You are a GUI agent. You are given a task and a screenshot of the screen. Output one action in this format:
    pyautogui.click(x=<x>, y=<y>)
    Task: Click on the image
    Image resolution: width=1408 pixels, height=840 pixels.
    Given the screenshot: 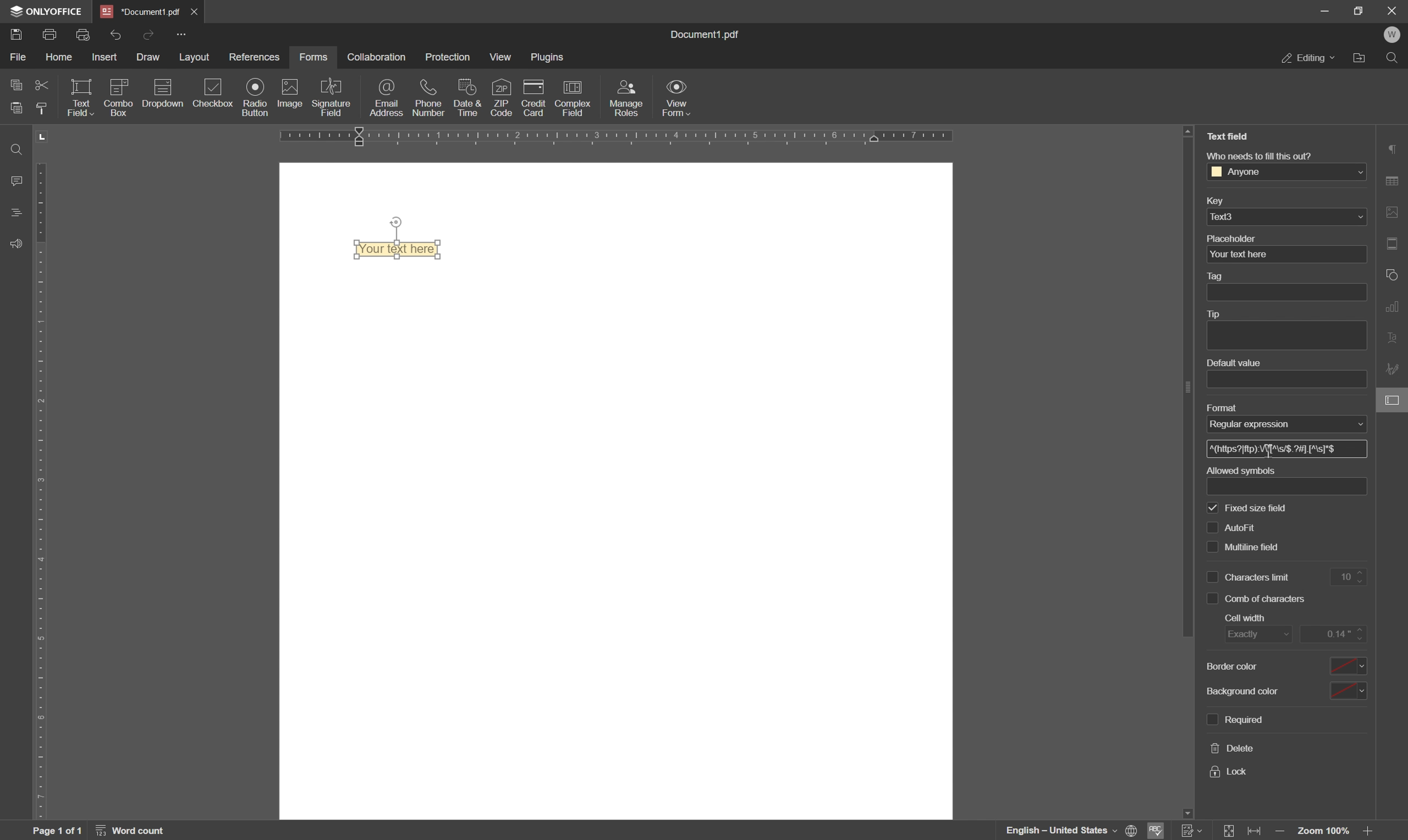 What is the action you would take?
    pyautogui.click(x=289, y=94)
    